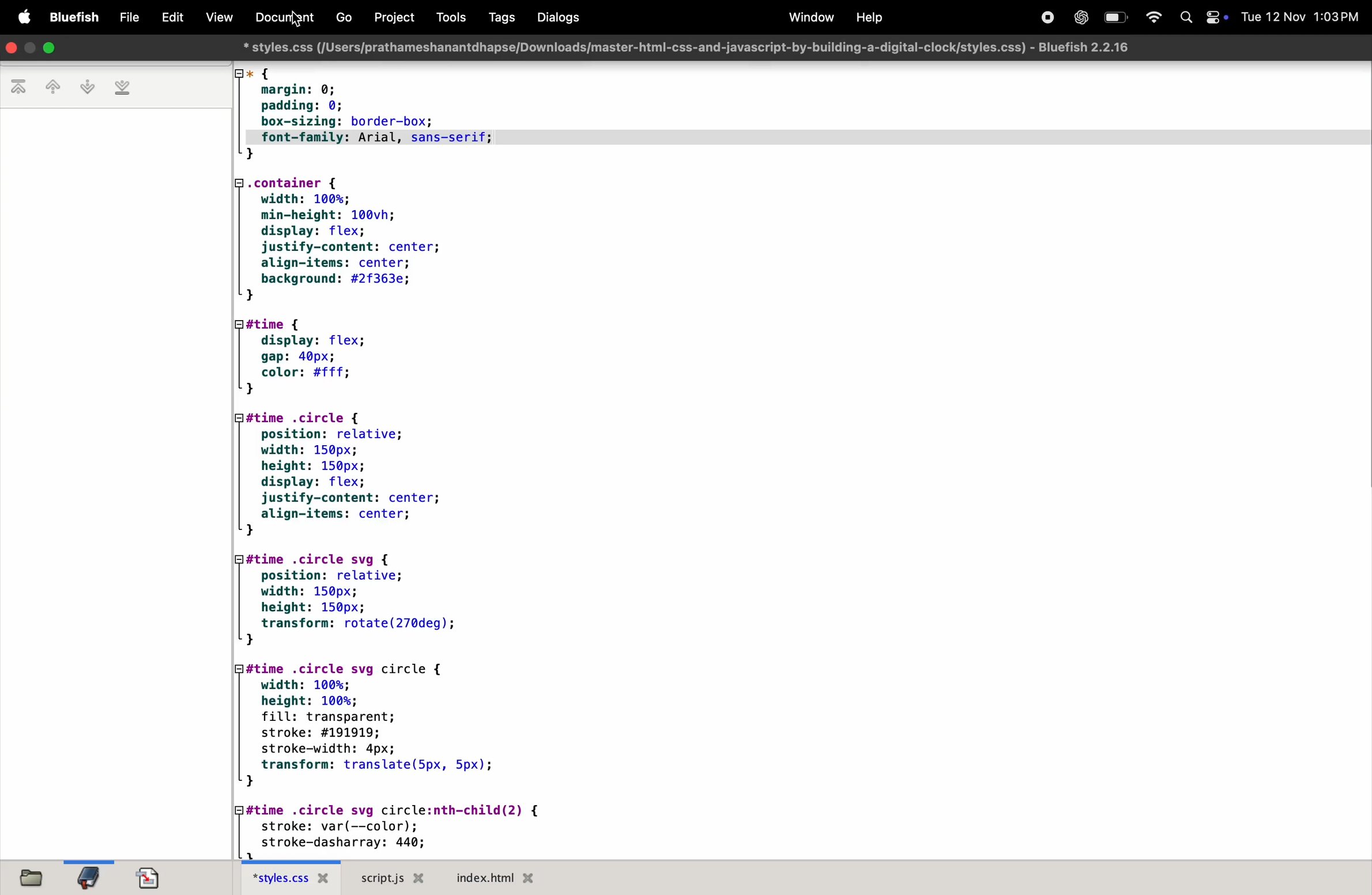 The image size is (1372, 895). Describe the element at coordinates (93, 875) in the screenshot. I see `bookmark` at that location.